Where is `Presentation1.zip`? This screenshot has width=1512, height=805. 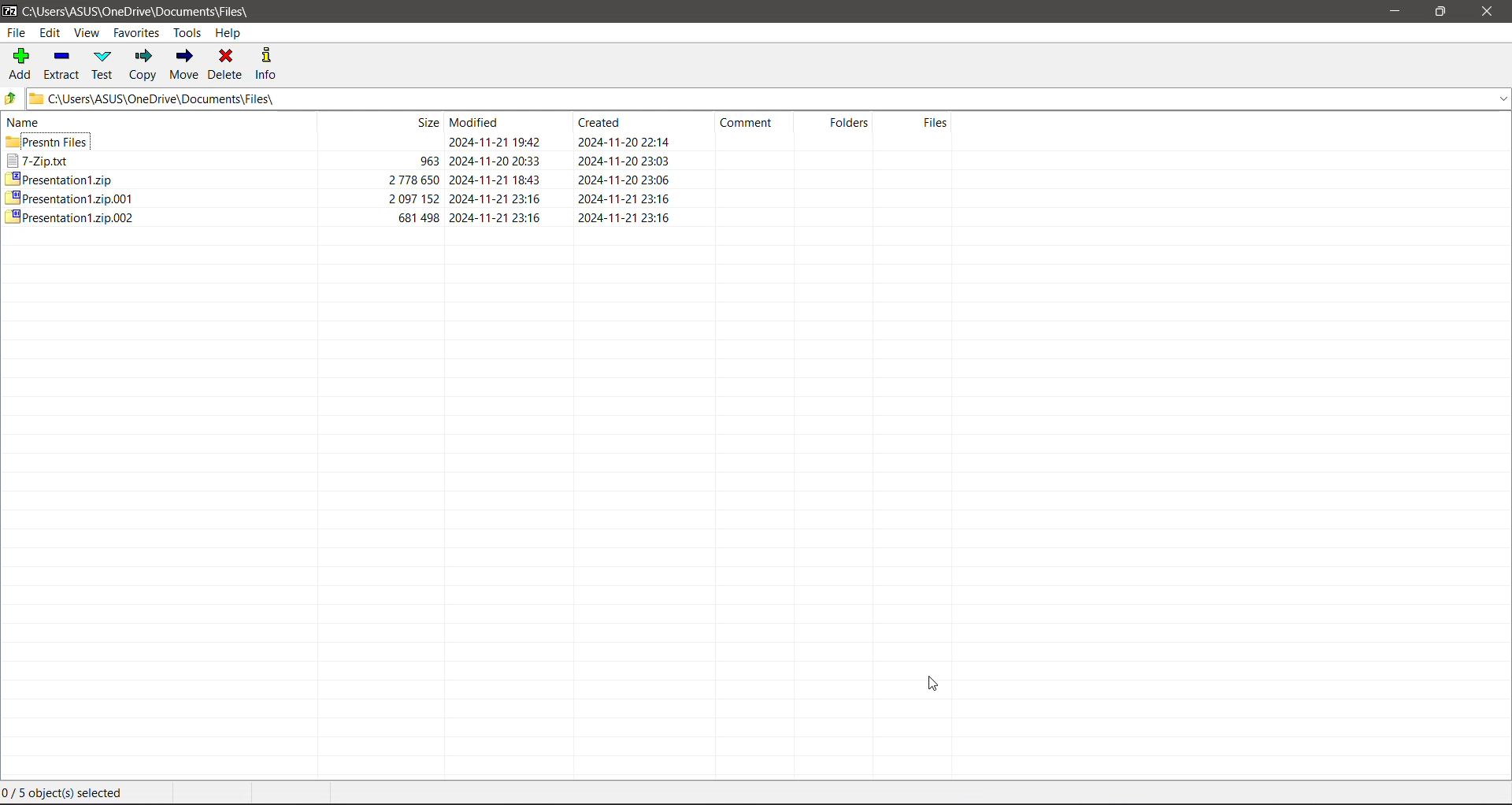 Presentation1.zip is located at coordinates (61, 177).